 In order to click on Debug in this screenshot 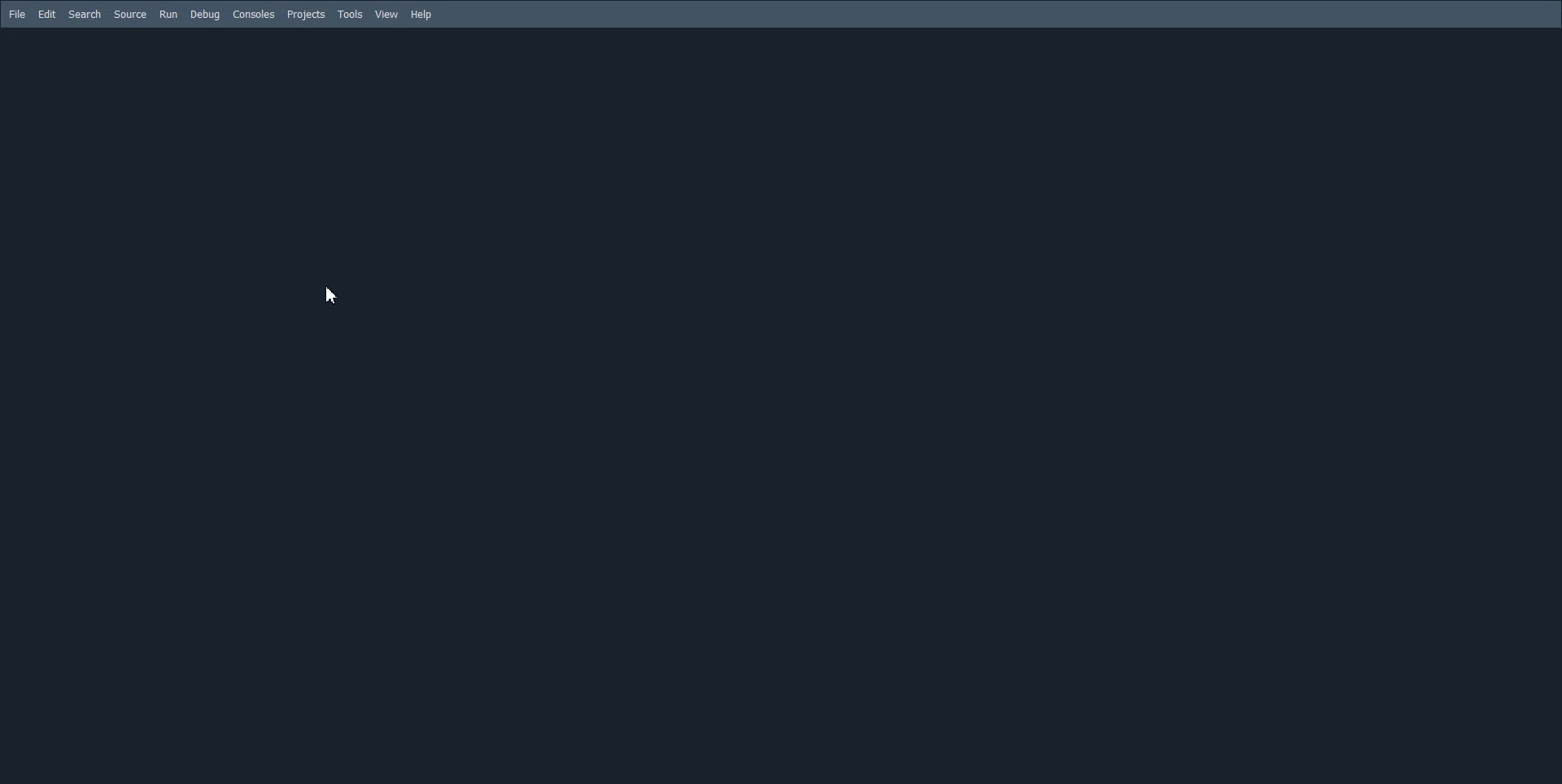, I will do `click(204, 15)`.